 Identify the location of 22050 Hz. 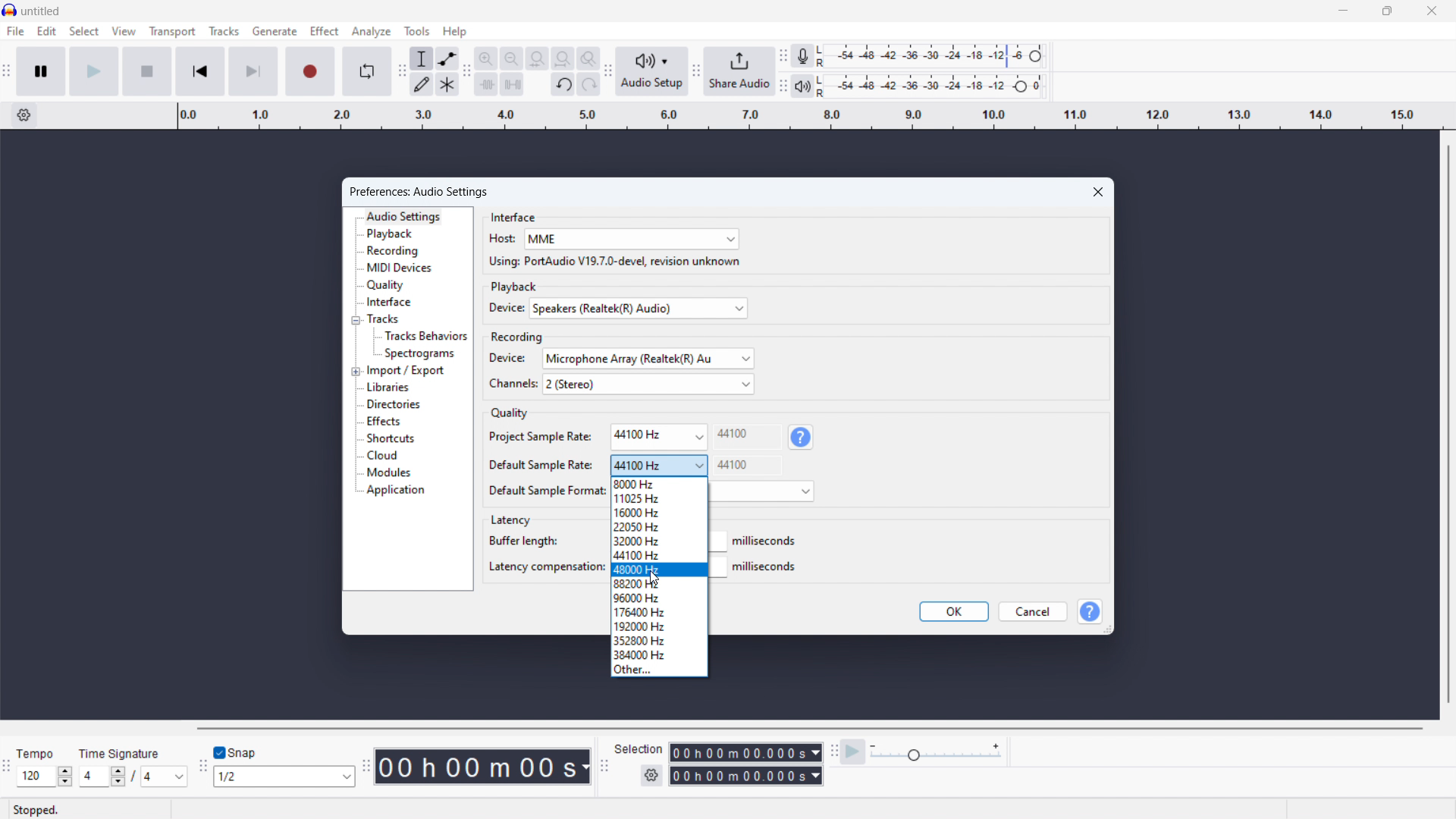
(661, 526).